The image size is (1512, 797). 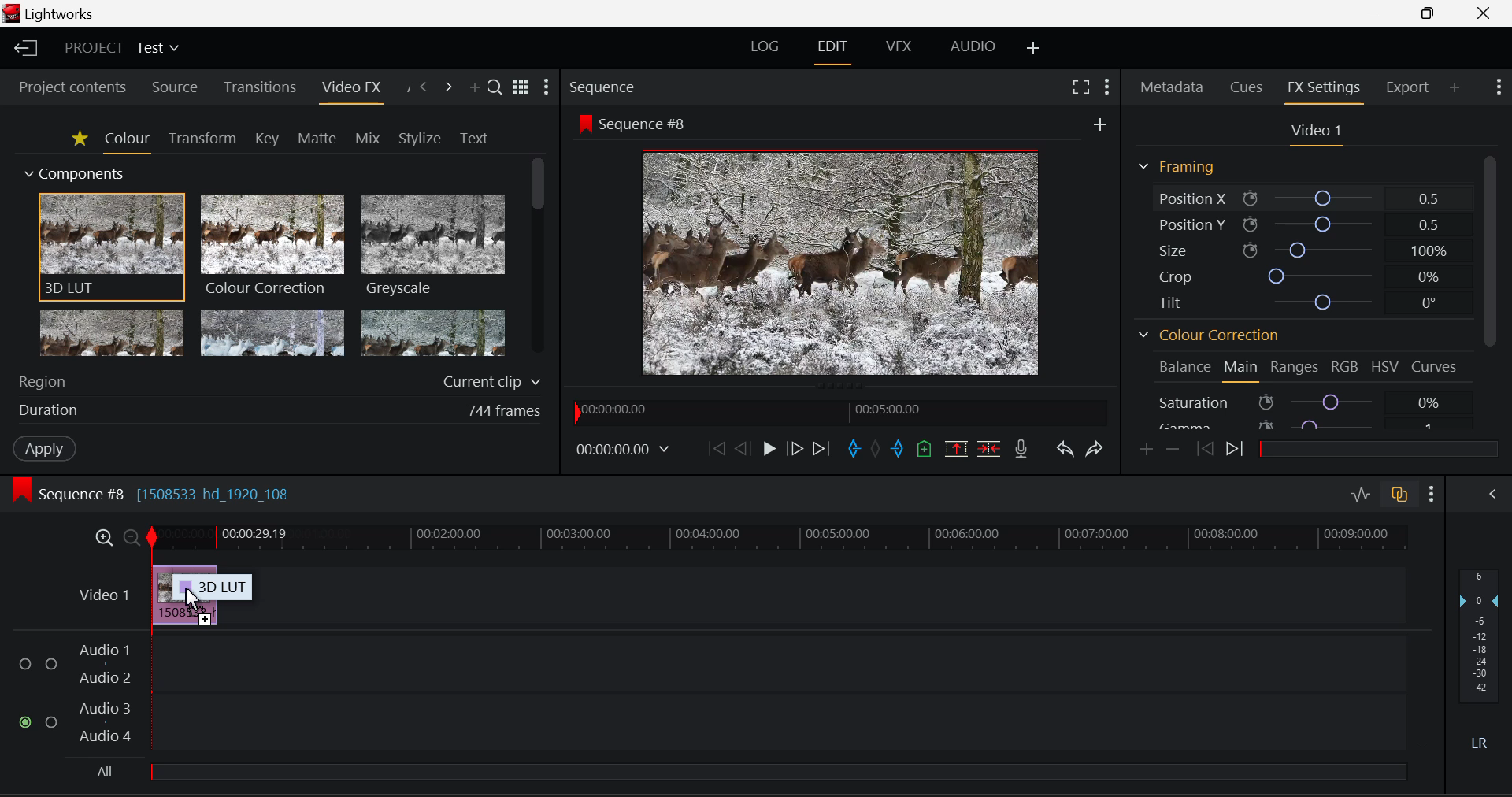 What do you see at coordinates (417, 139) in the screenshot?
I see `Stylize` at bounding box center [417, 139].